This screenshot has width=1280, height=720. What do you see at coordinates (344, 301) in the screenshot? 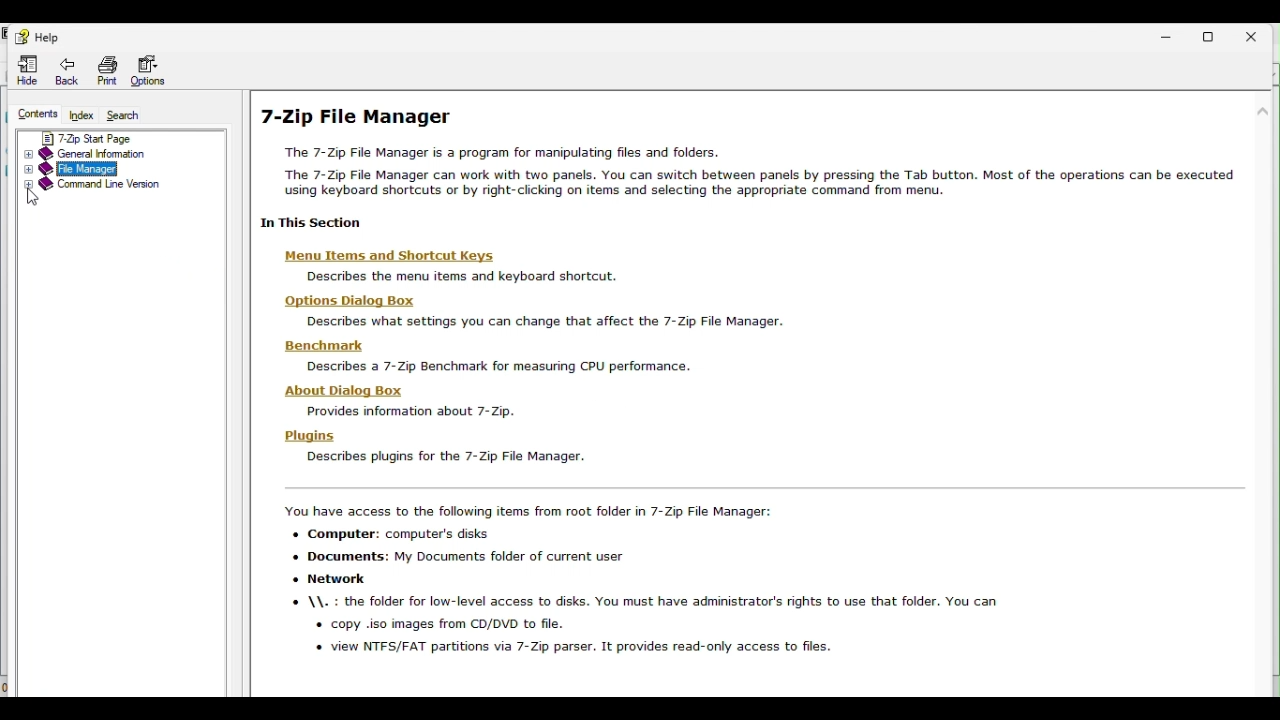
I see `options dialog box` at bounding box center [344, 301].